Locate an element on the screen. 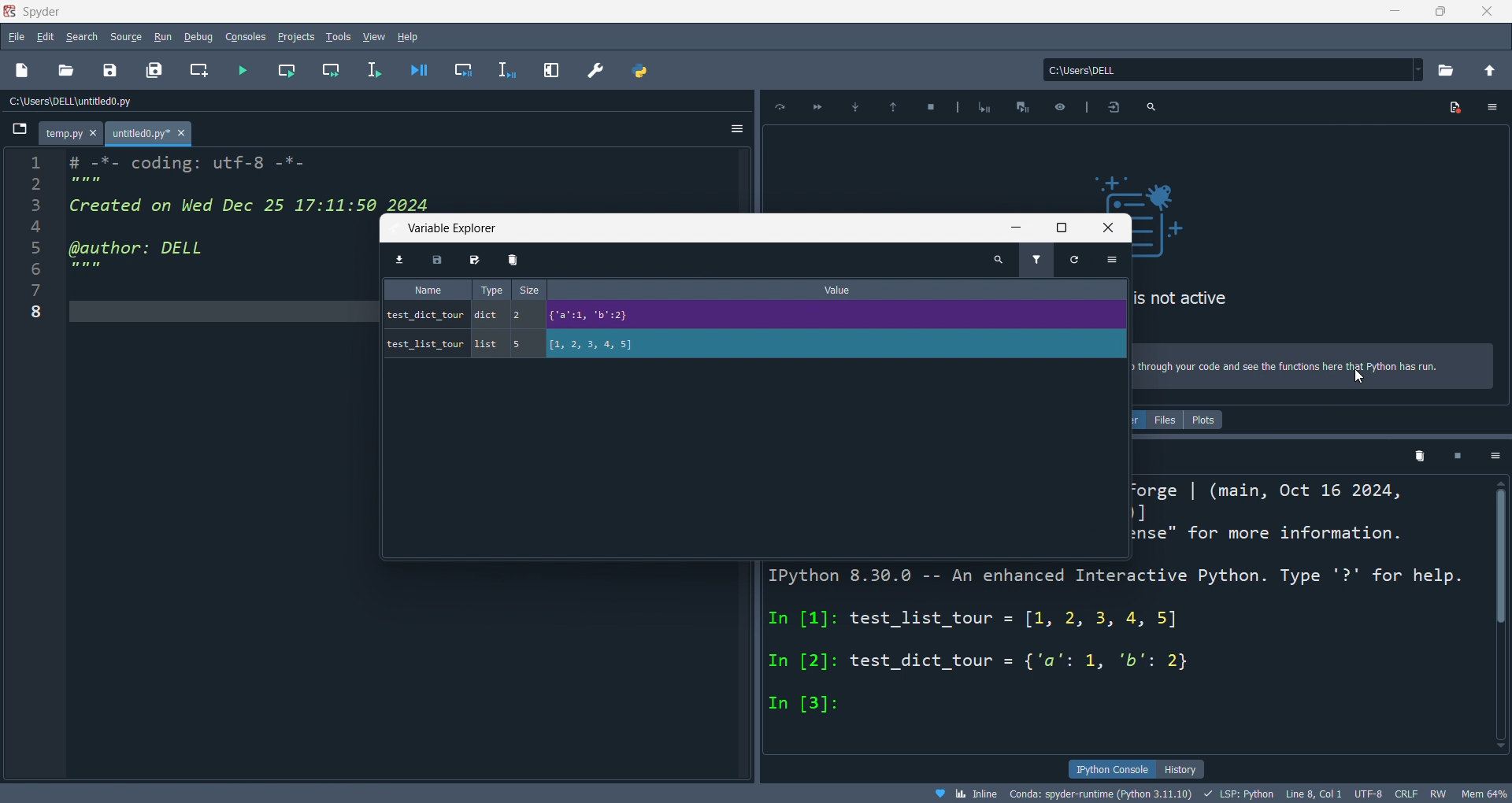 The width and height of the screenshot is (1512, 803). run is located at coordinates (162, 38).